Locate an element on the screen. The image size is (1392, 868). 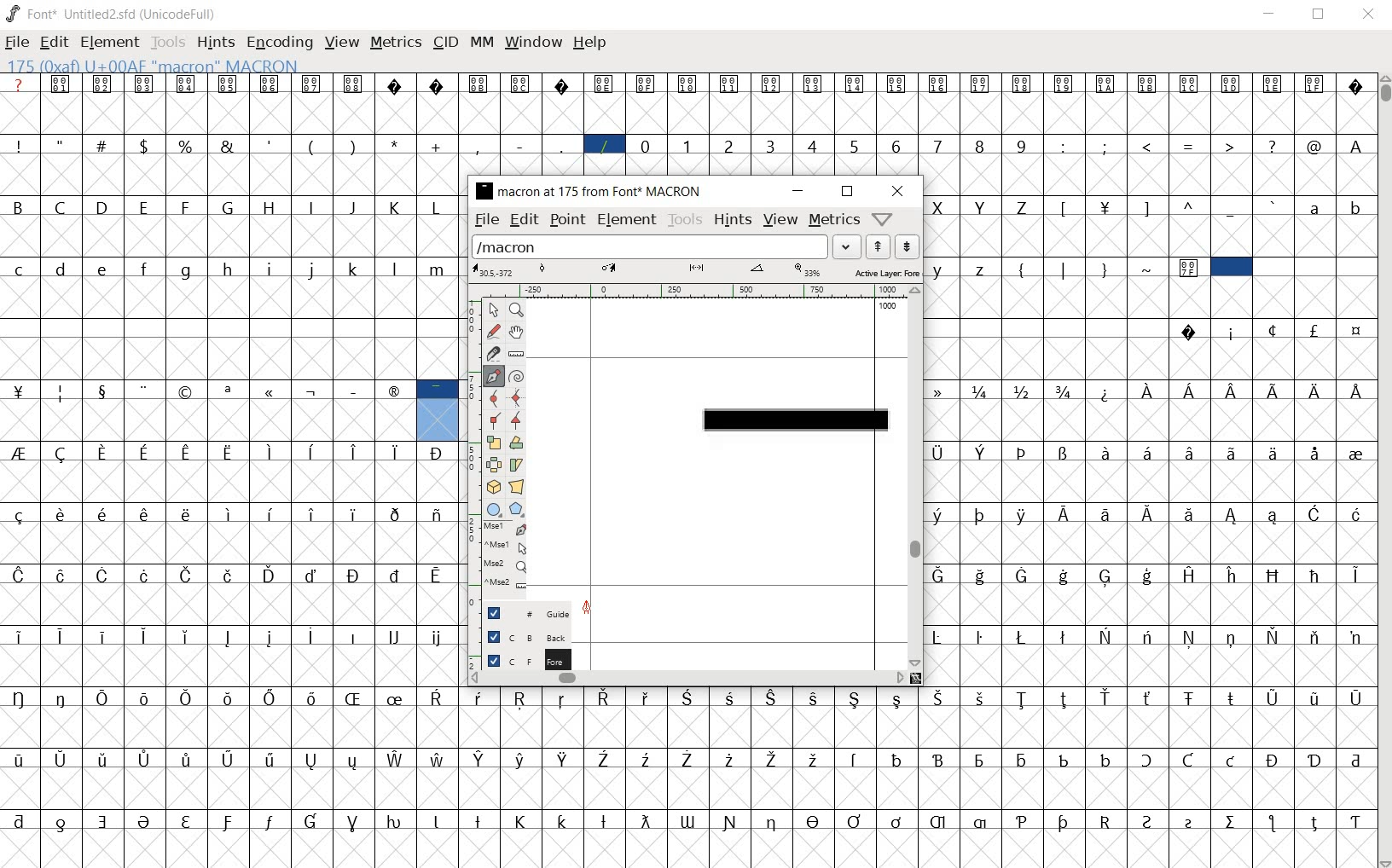
Symbol is located at coordinates (270, 637).